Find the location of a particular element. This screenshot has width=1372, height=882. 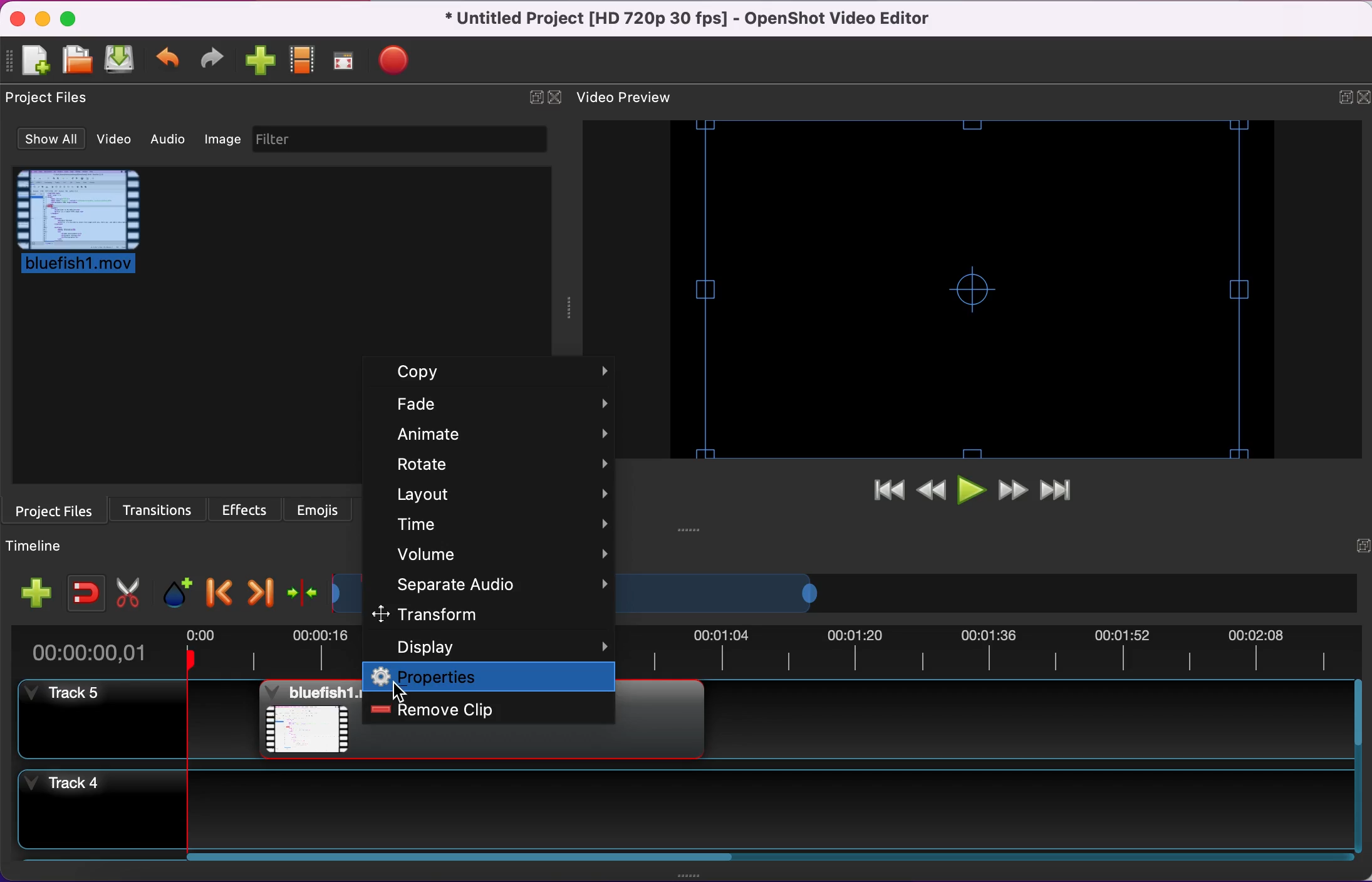

time duration is located at coordinates (183, 648).